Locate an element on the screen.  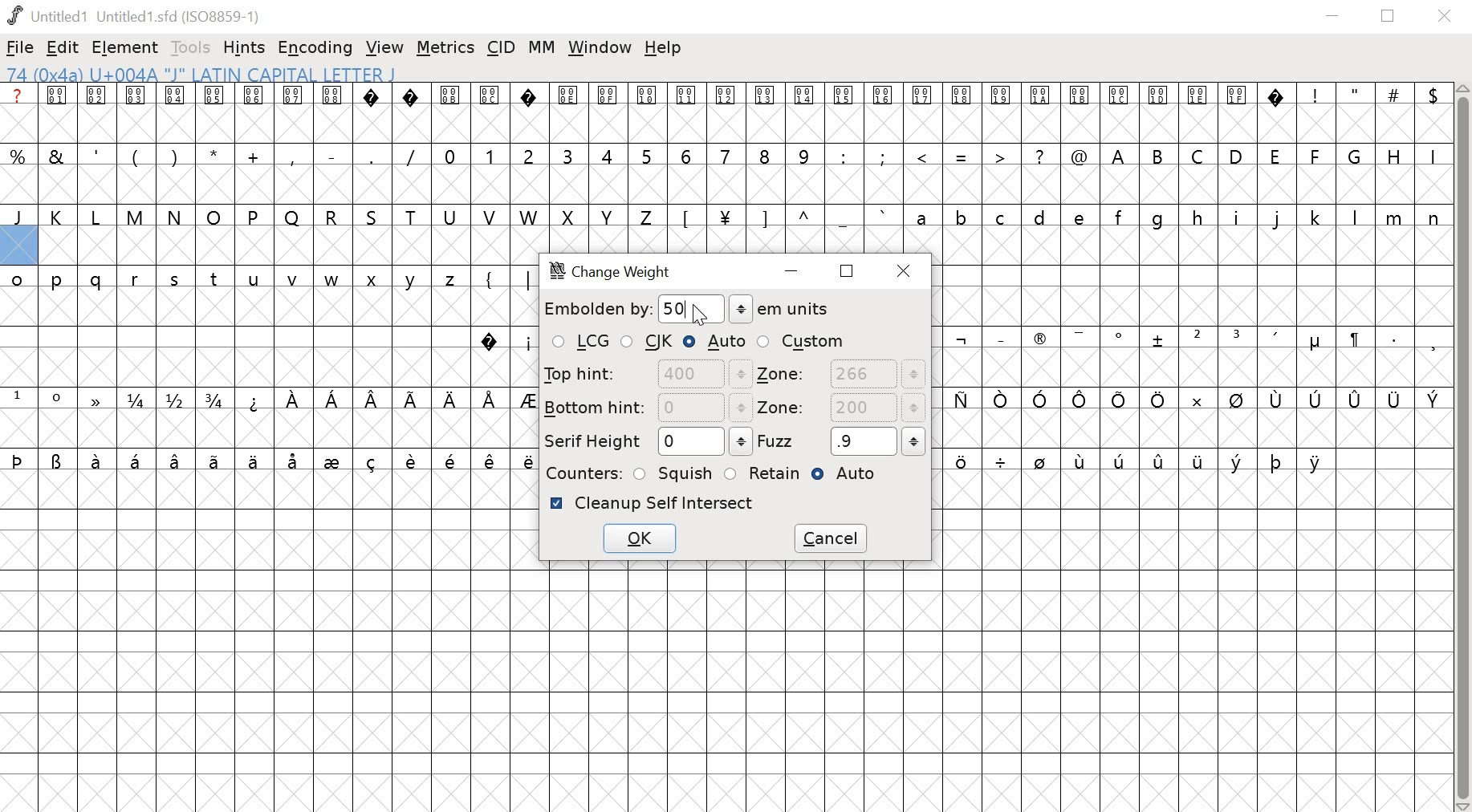
ELEMENT is located at coordinates (127, 48).